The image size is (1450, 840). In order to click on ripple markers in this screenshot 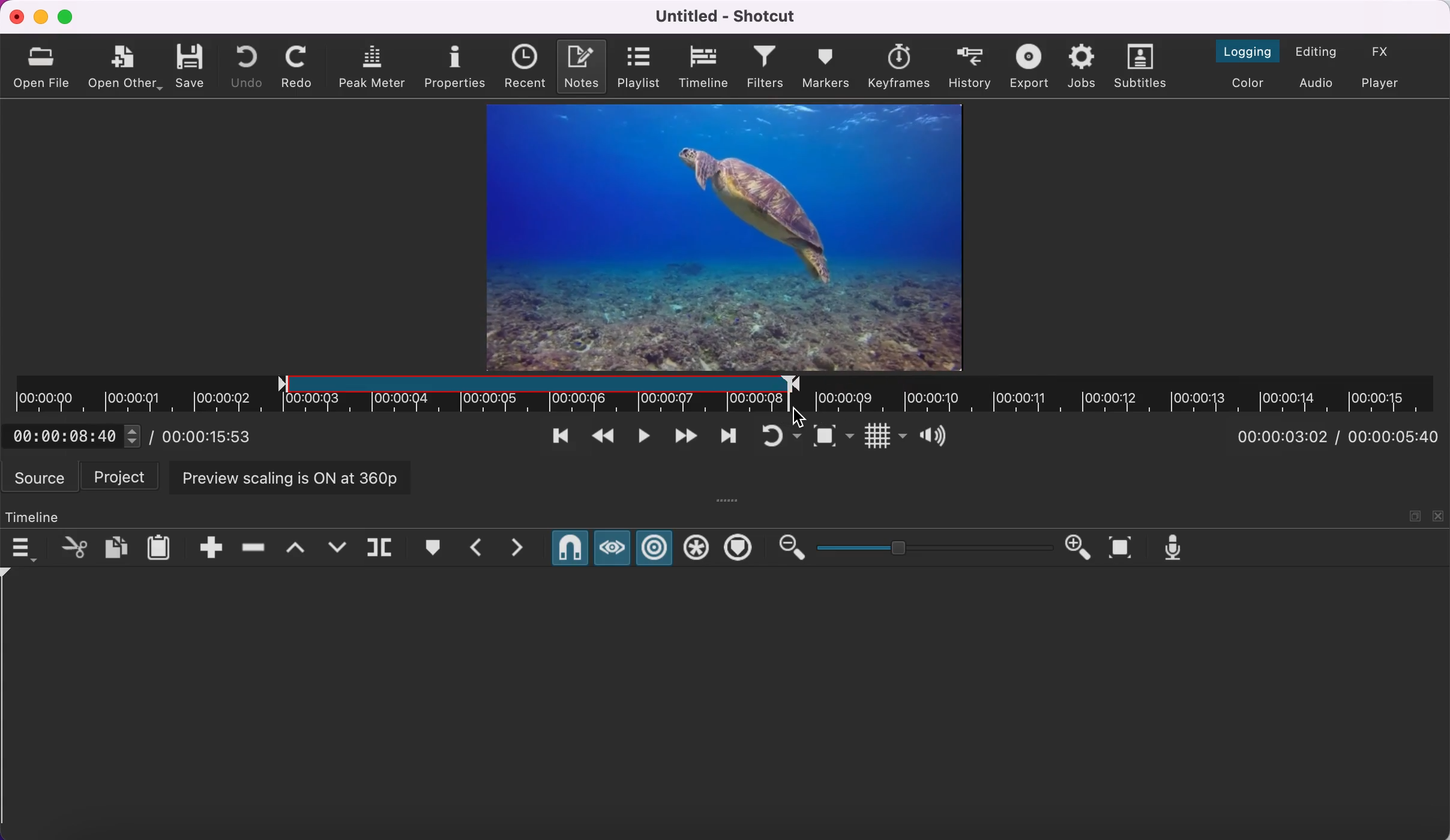, I will do `click(739, 548)`.